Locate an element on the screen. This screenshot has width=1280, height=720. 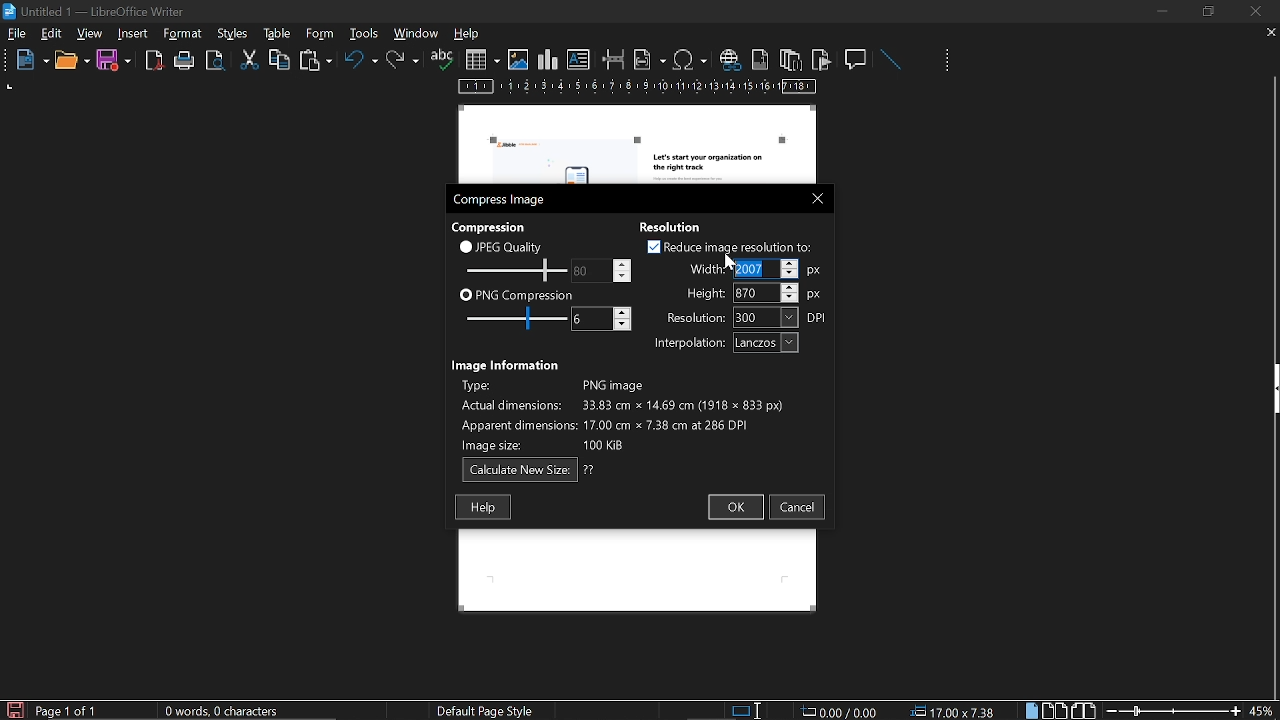
tools is located at coordinates (186, 34).